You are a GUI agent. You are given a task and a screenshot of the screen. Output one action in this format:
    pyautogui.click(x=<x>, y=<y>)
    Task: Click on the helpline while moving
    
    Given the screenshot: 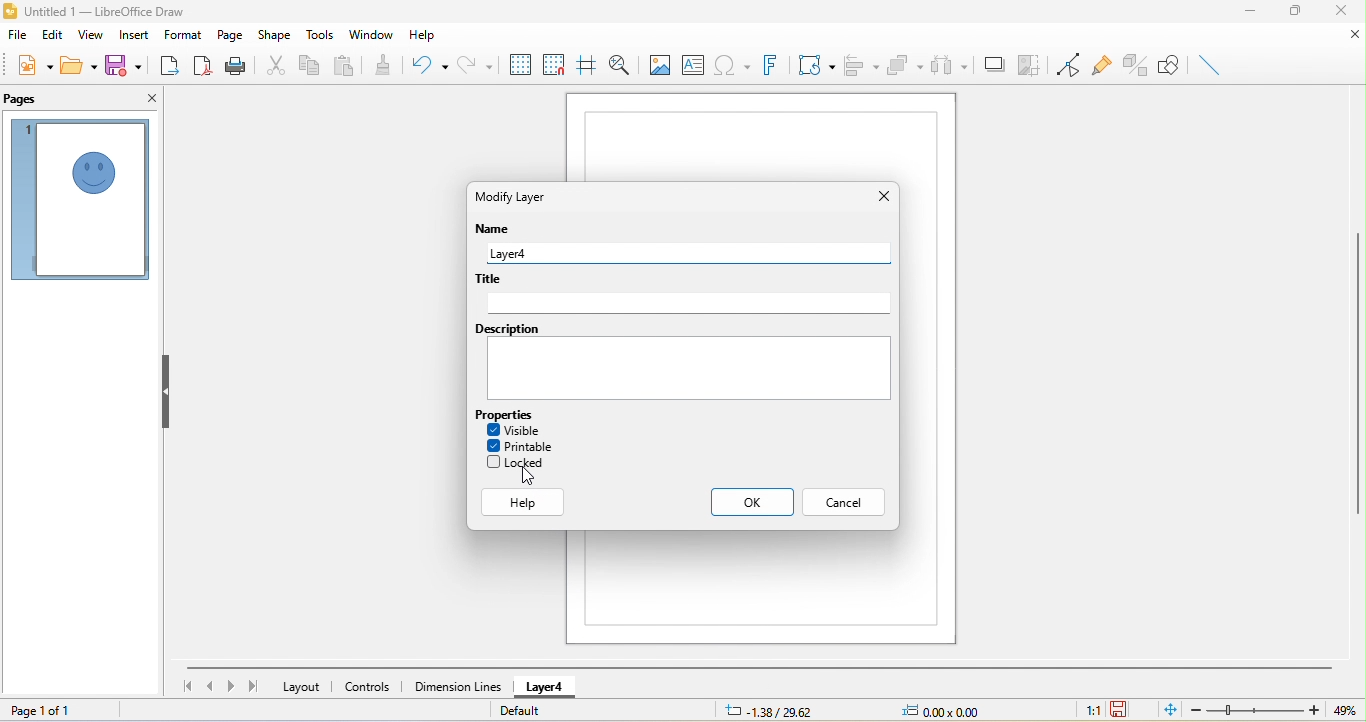 What is the action you would take?
    pyautogui.click(x=586, y=65)
    